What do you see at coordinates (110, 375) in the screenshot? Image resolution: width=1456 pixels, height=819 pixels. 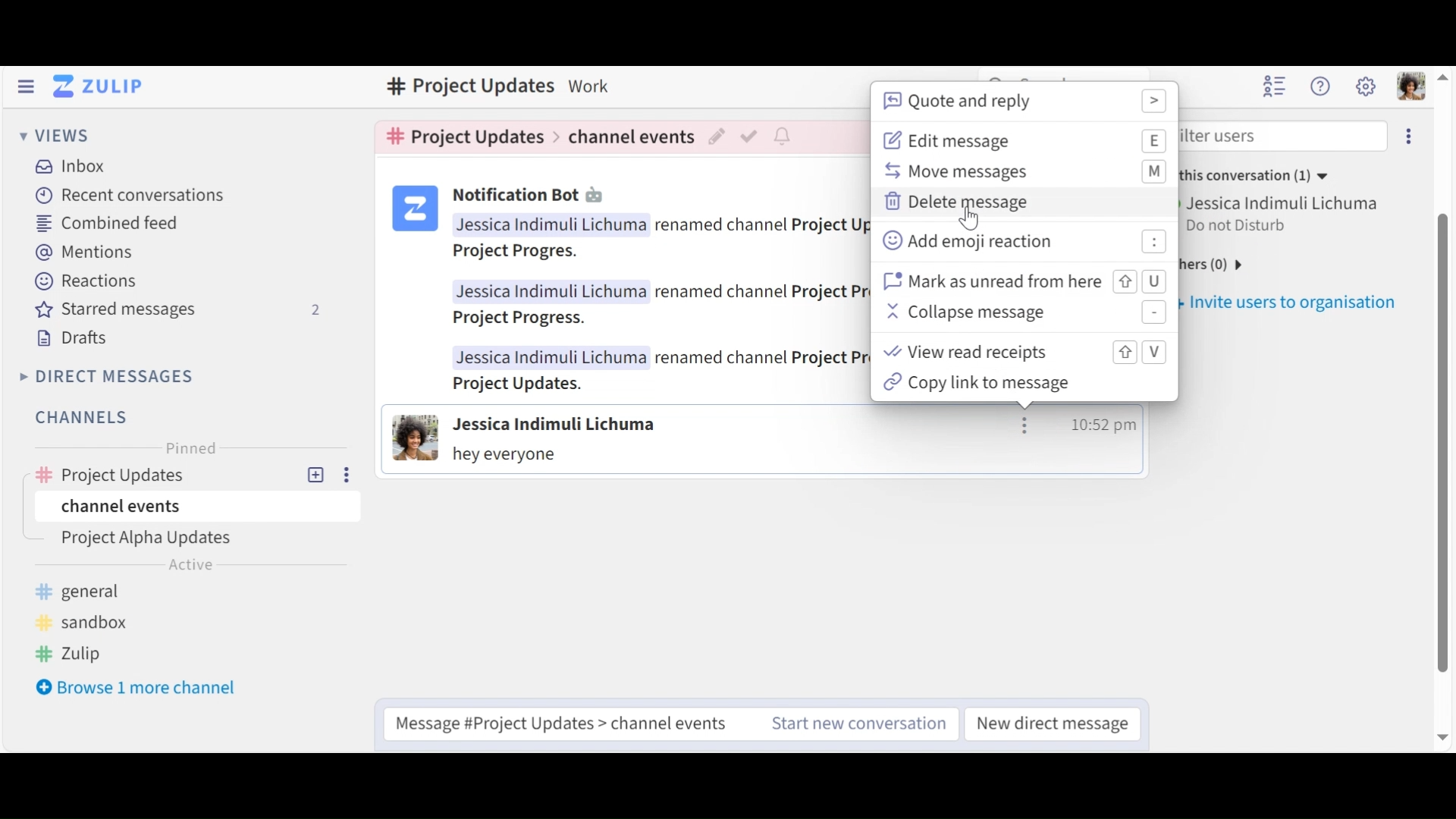 I see `Direct Messages` at bounding box center [110, 375].